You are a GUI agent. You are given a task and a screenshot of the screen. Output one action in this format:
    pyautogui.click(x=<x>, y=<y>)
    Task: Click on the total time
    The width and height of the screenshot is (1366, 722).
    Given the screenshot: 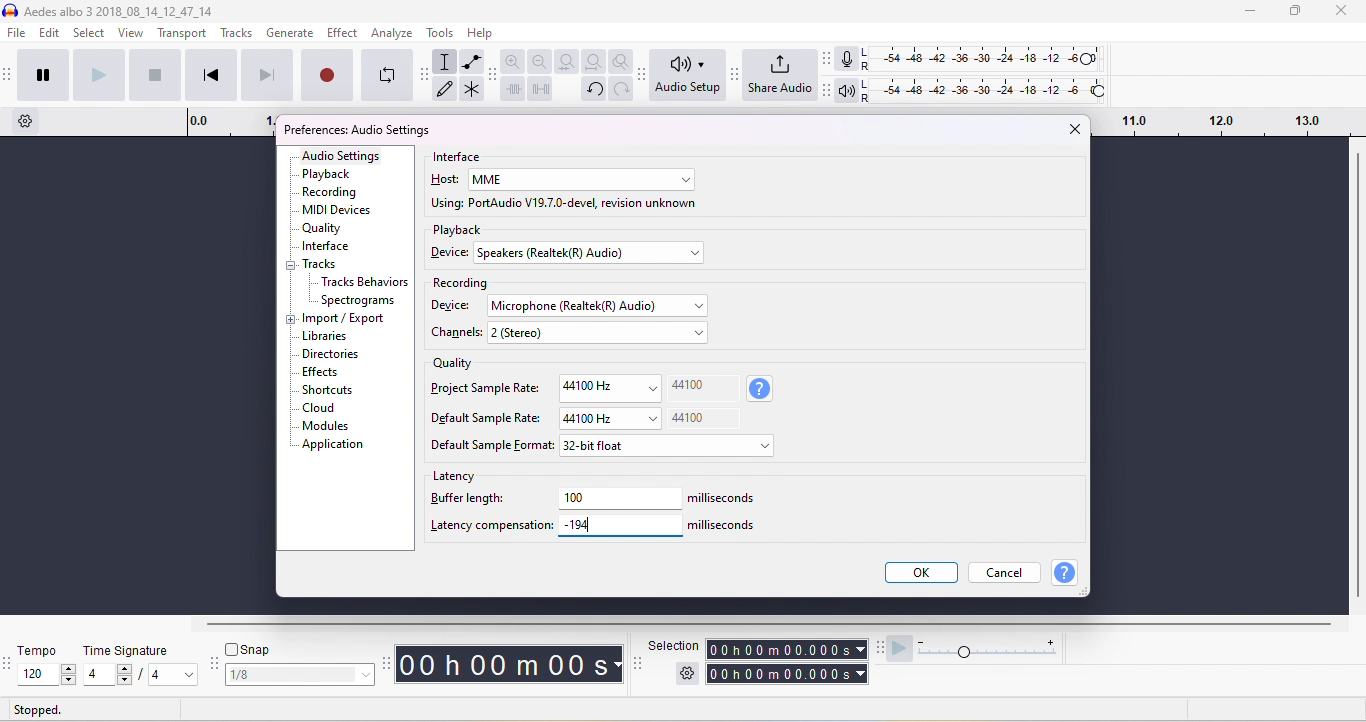 What is the action you would take?
    pyautogui.click(x=779, y=674)
    